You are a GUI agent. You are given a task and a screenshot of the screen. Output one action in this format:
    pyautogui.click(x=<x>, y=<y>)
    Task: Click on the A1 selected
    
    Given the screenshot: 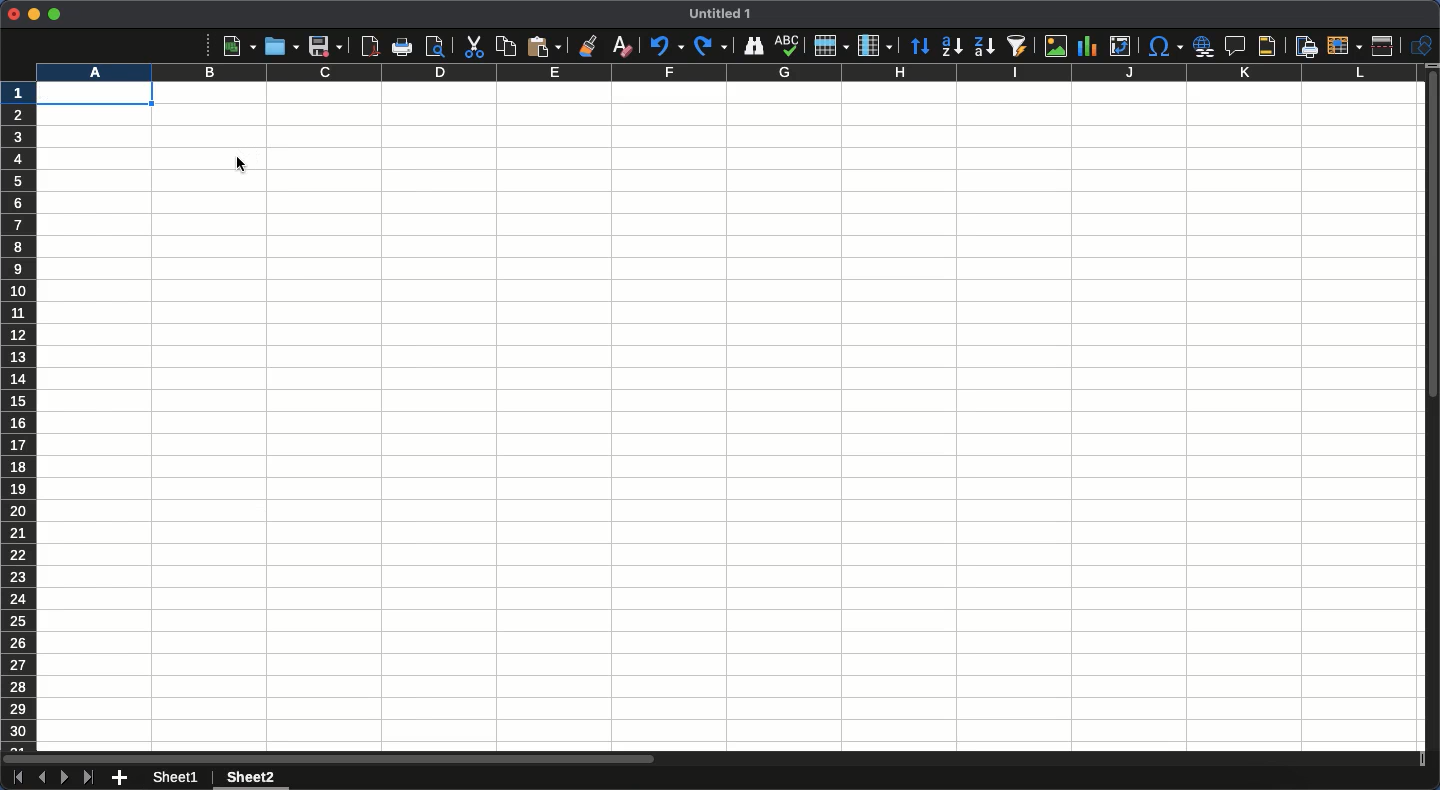 What is the action you would take?
    pyautogui.click(x=94, y=93)
    